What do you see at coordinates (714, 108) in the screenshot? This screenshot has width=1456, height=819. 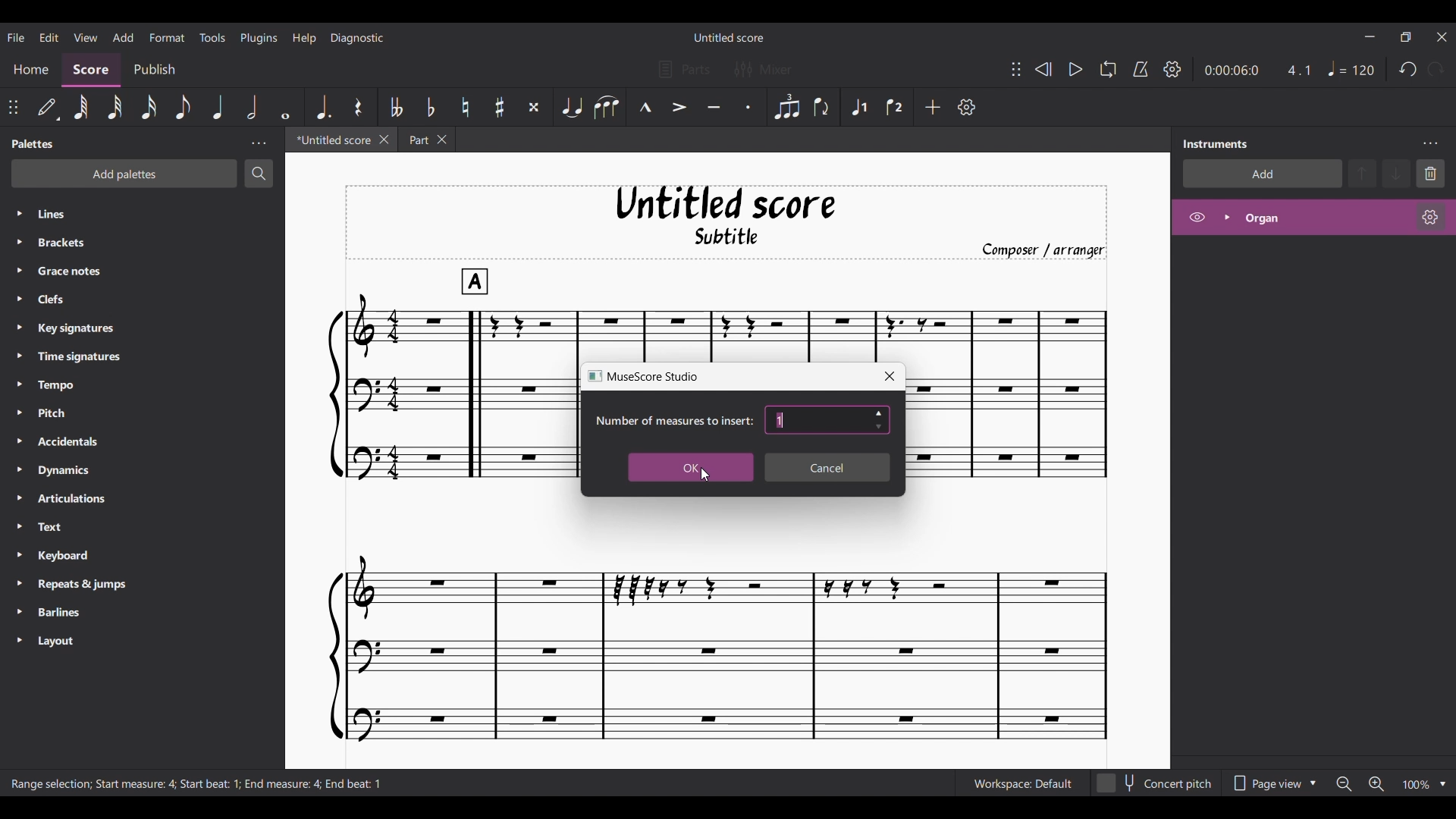 I see `Tenuto` at bounding box center [714, 108].